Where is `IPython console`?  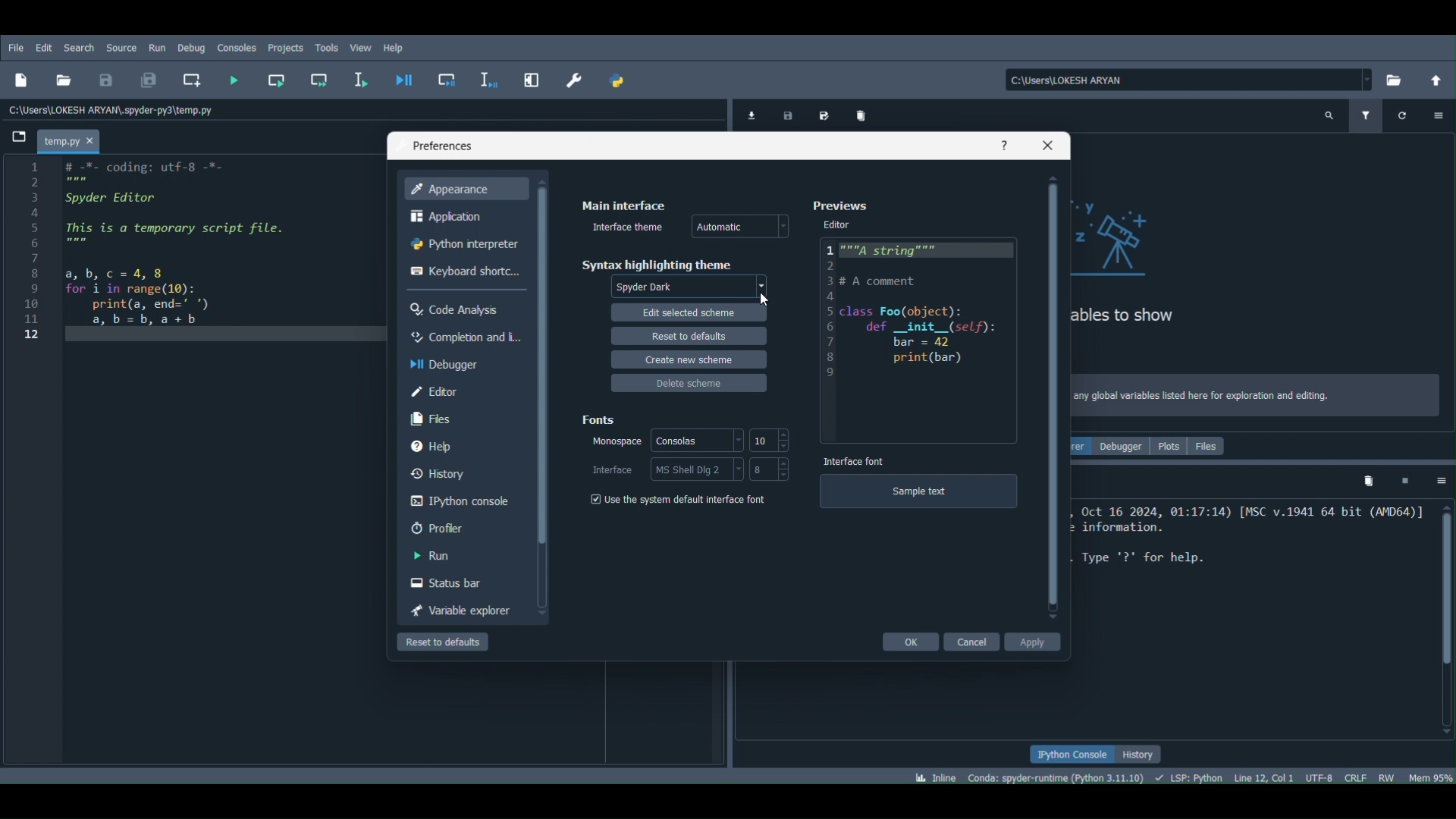
IPython console is located at coordinates (1073, 756).